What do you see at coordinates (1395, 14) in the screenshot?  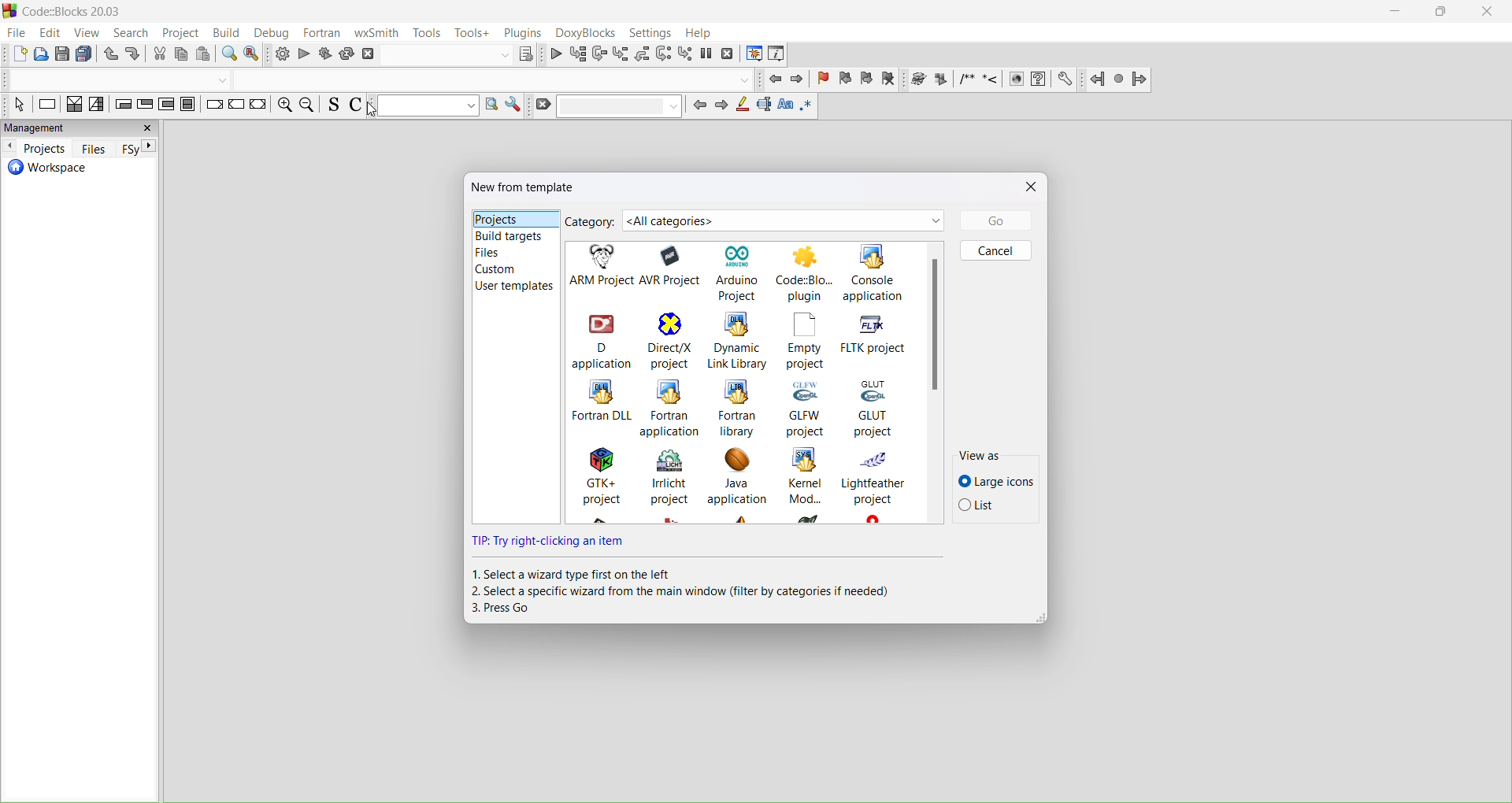 I see `minimize` at bounding box center [1395, 14].